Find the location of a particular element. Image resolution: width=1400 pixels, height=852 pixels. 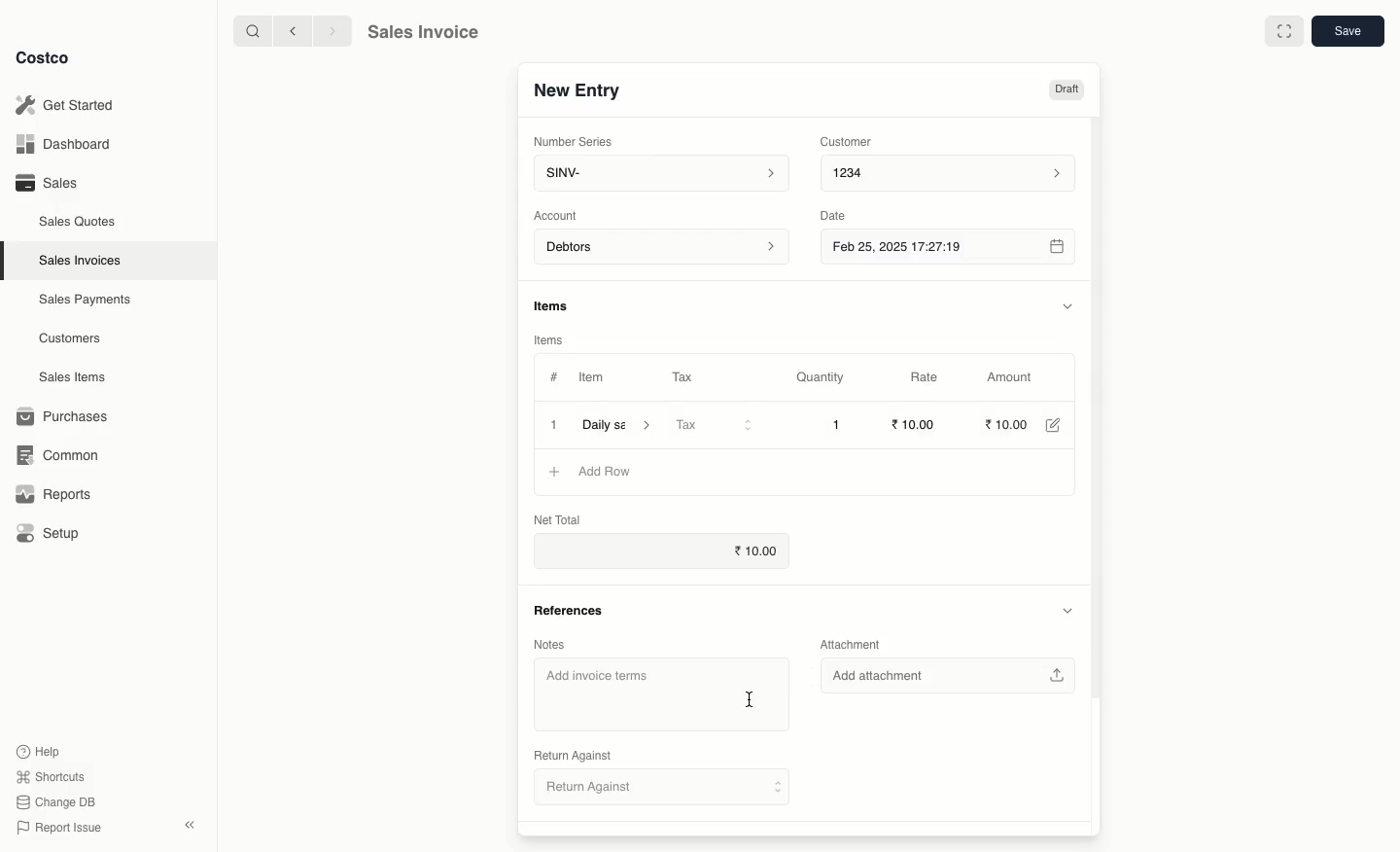

Dashboard is located at coordinates (68, 142).